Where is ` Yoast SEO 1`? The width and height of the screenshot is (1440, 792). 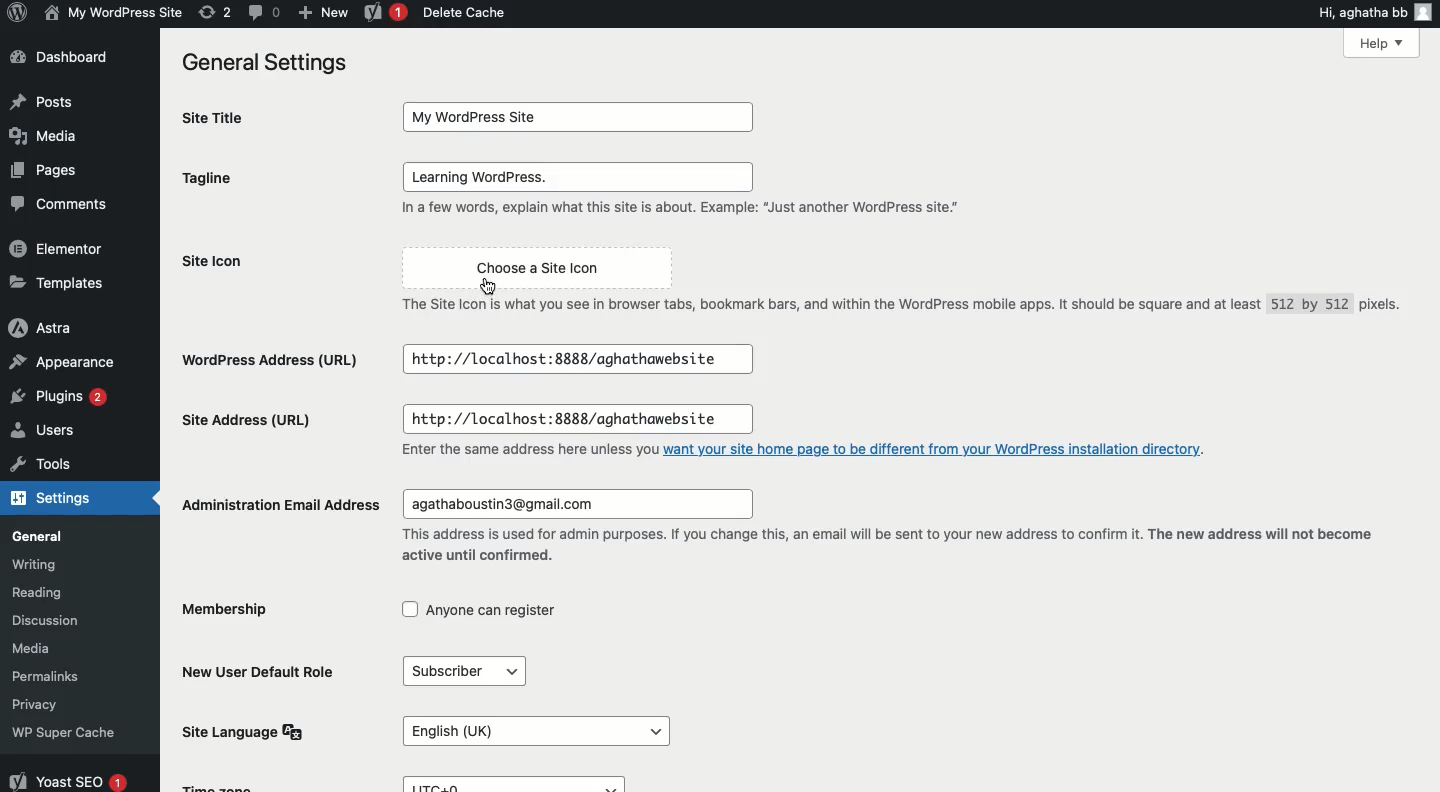
 Yoast SEO 1 is located at coordinates (67, 777).